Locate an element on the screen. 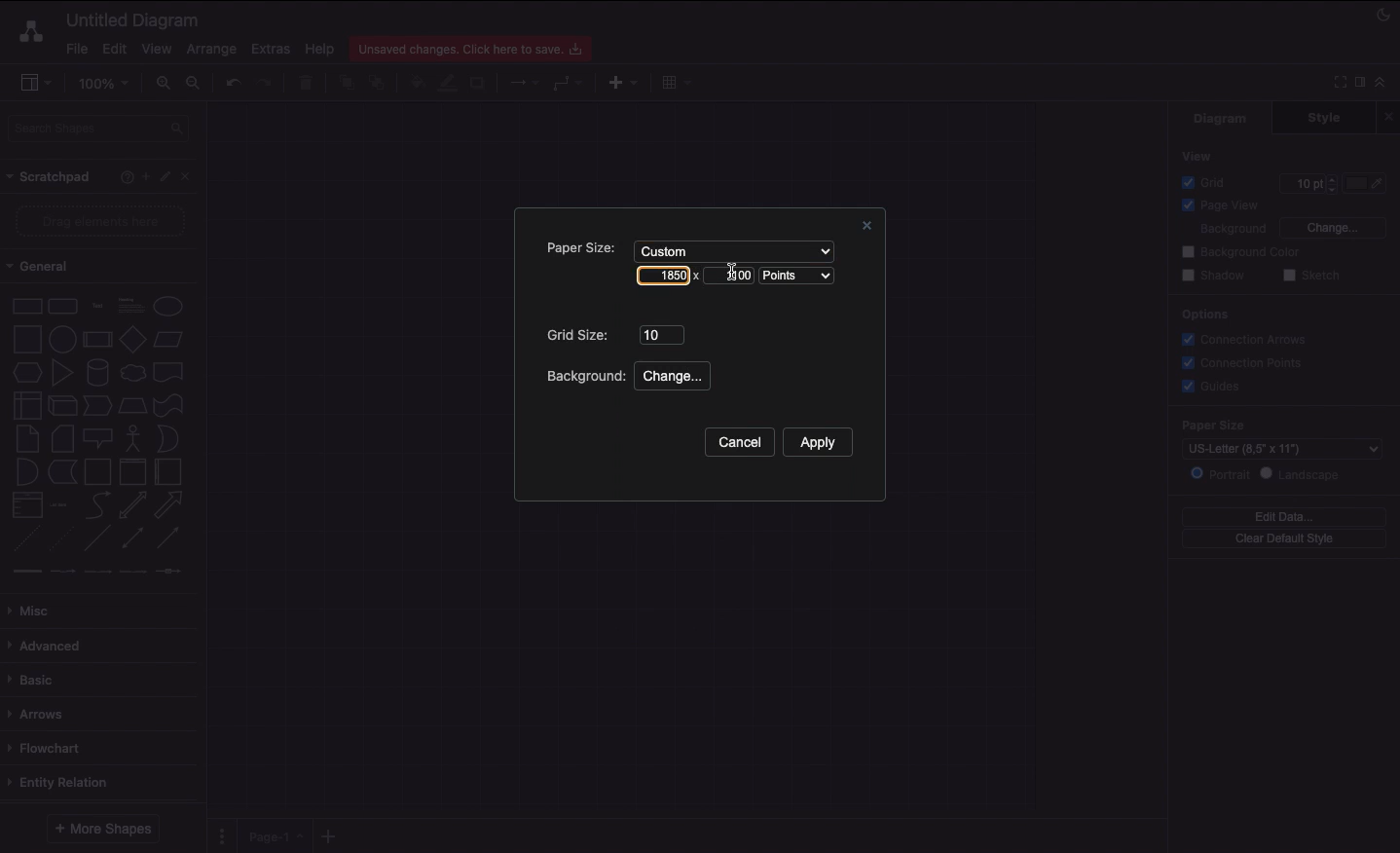 The image size is (1400, 853). Dotted line is located at coordinates (61, 540).